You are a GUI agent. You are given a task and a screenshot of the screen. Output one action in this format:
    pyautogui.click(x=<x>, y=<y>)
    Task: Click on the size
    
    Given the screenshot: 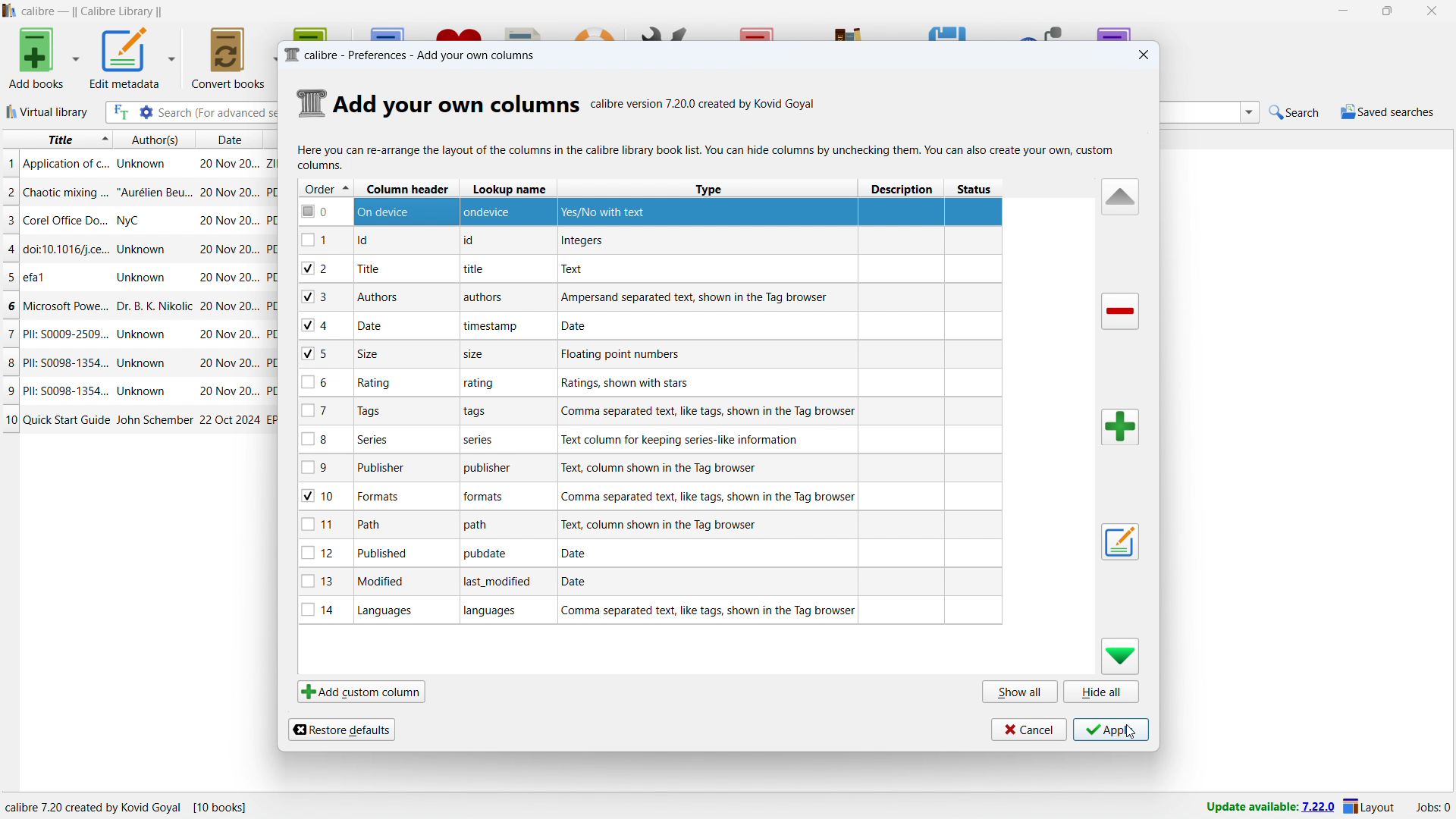 What is the action you would take?
    pyautogui.click(x=370, y=353)
    